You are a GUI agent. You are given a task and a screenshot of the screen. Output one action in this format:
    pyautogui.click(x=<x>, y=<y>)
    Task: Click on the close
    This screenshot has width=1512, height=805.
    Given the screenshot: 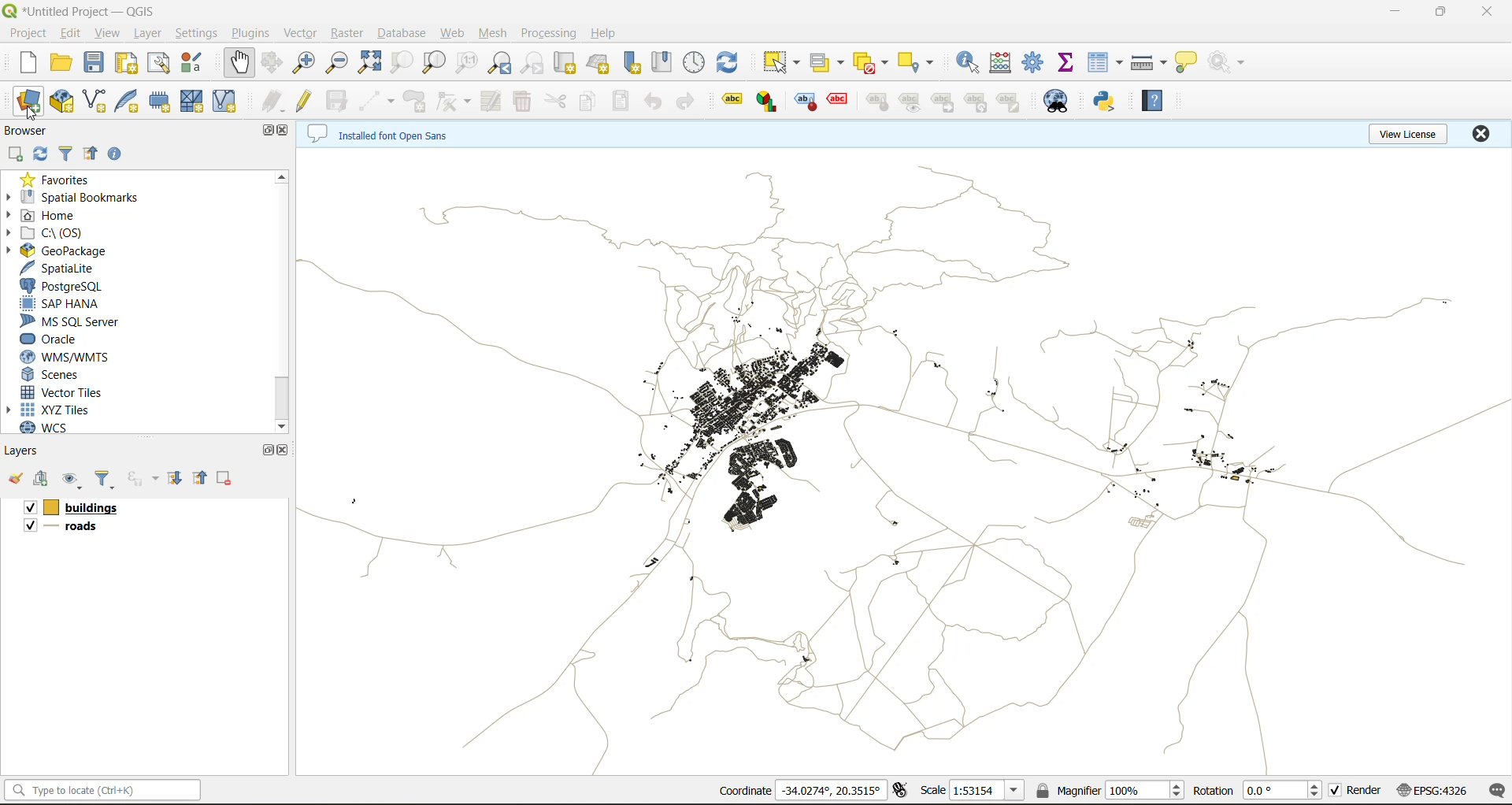 What is the action you would take?
    pyautogui.click(x=1480, y=133)
    